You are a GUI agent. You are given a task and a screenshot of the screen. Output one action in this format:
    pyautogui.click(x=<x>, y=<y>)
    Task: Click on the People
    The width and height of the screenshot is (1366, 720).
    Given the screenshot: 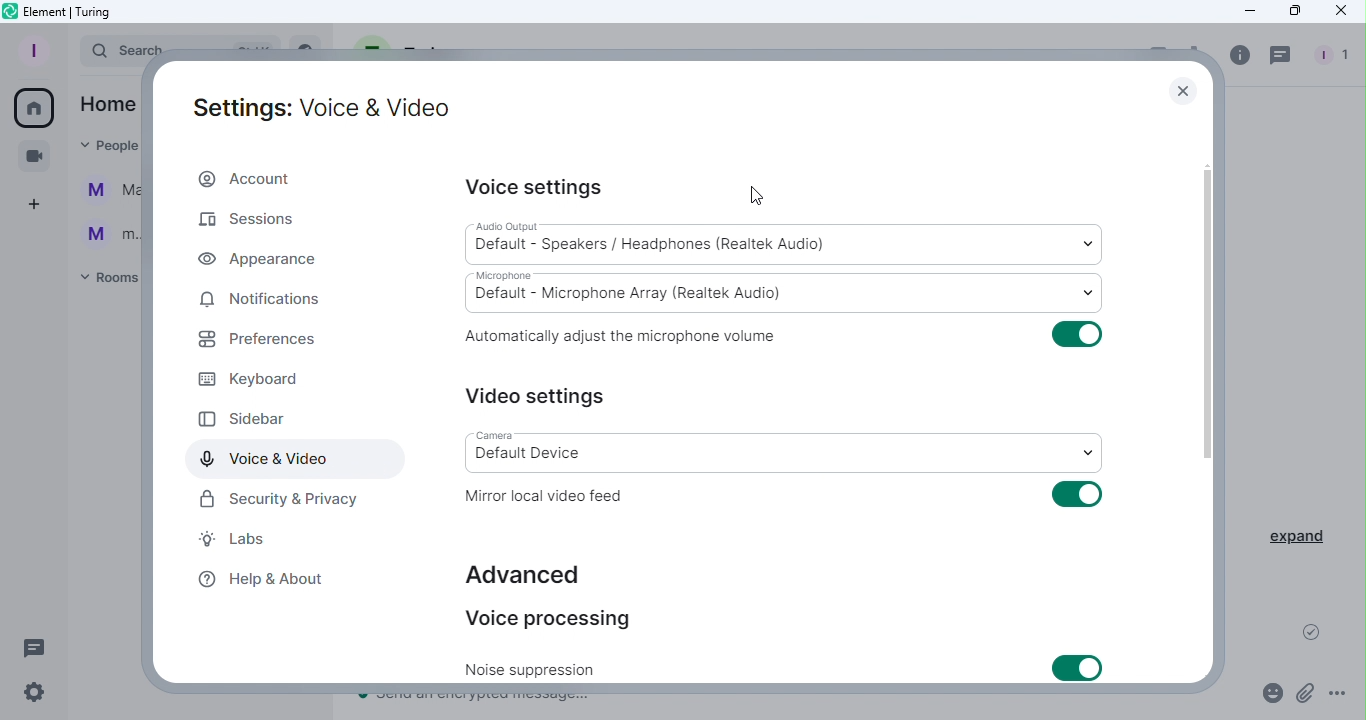 What is the action you would take?
    pyautogui.click(x=1335, y=56)
    